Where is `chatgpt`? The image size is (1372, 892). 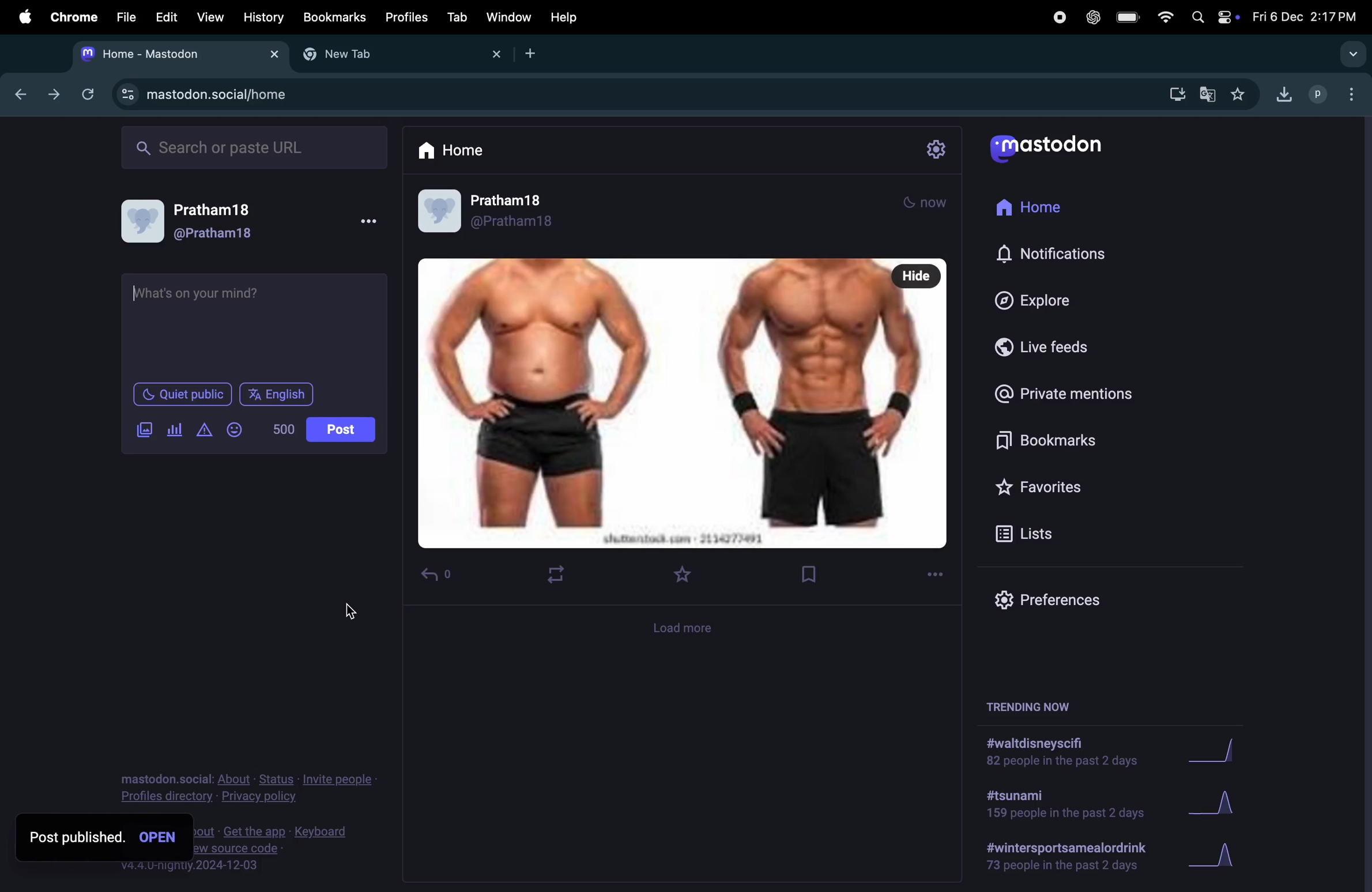
chatgpt is located at coordinates (1095, 18).